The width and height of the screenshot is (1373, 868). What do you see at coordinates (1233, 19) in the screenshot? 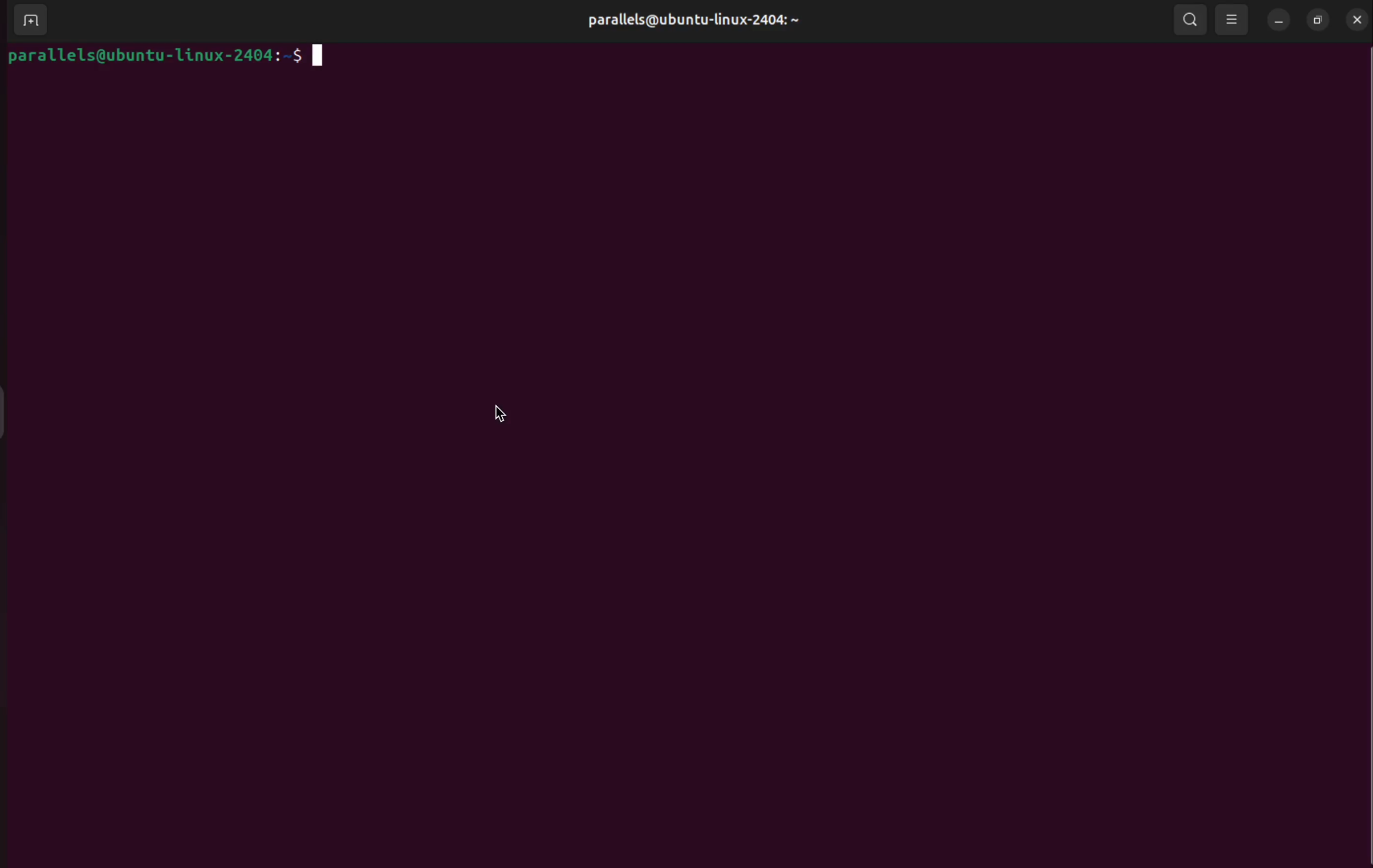
I see `view options` at bounding box center [1233, 19].